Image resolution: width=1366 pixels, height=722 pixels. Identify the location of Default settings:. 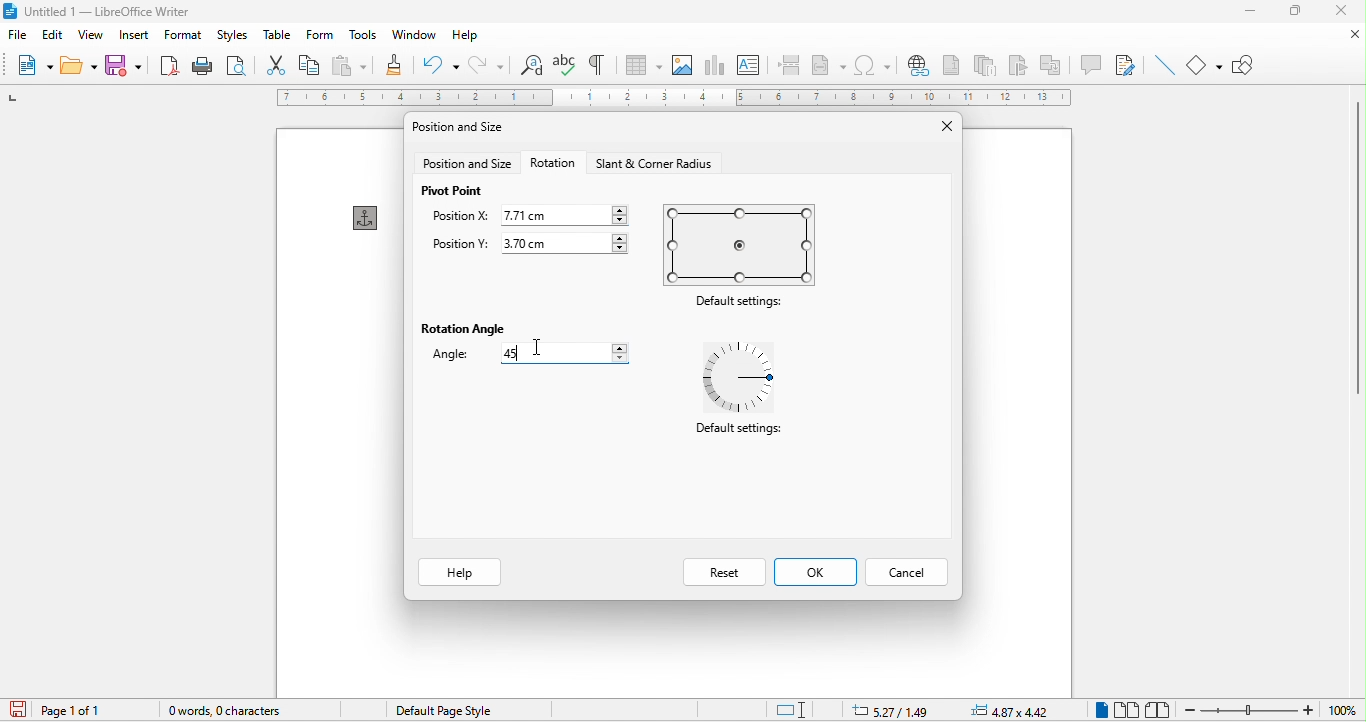
(743, 435).